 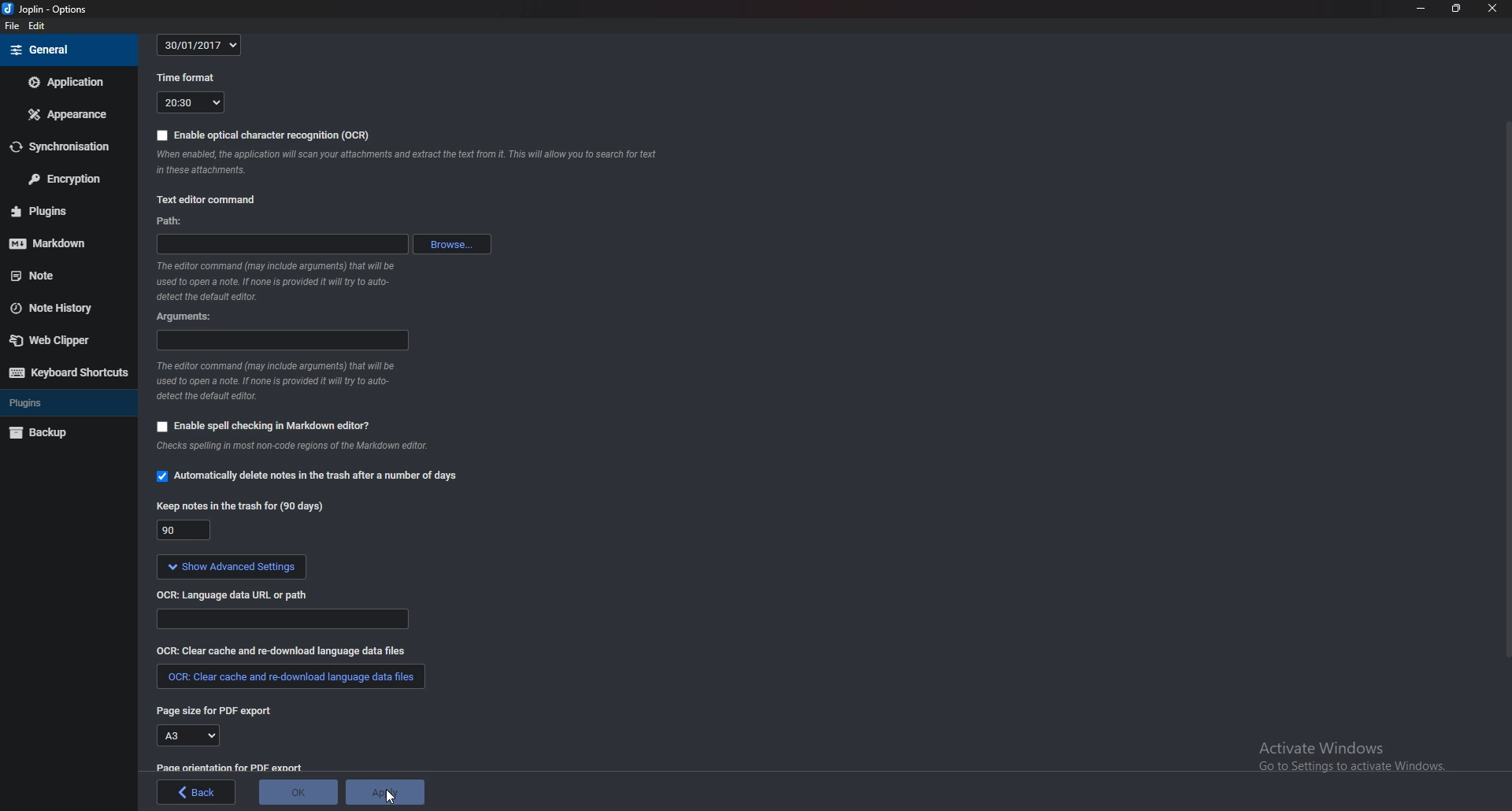 I want to click on Resize, so click(x=1456, y=9).